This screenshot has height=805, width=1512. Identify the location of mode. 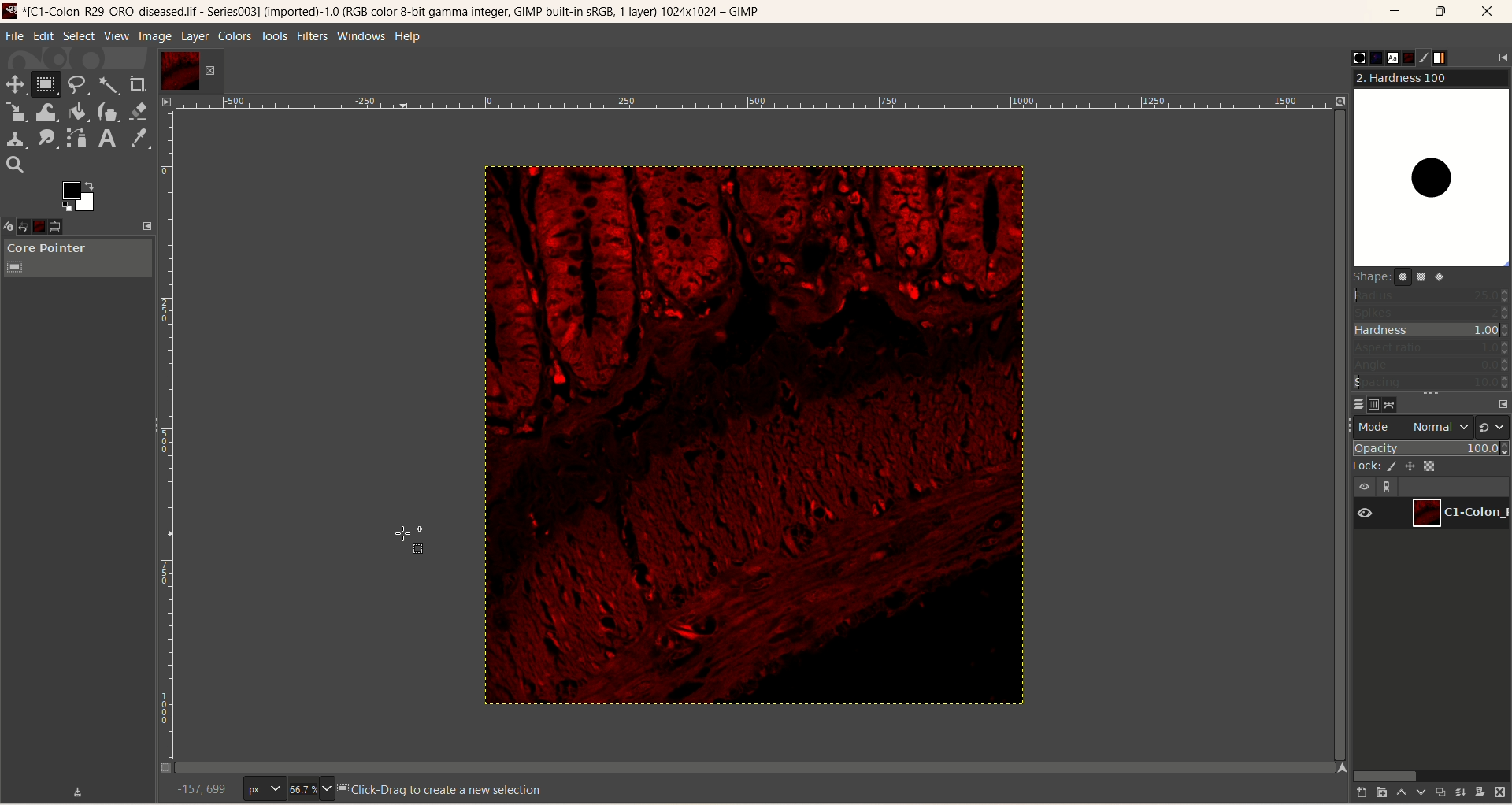
(1376, 426).